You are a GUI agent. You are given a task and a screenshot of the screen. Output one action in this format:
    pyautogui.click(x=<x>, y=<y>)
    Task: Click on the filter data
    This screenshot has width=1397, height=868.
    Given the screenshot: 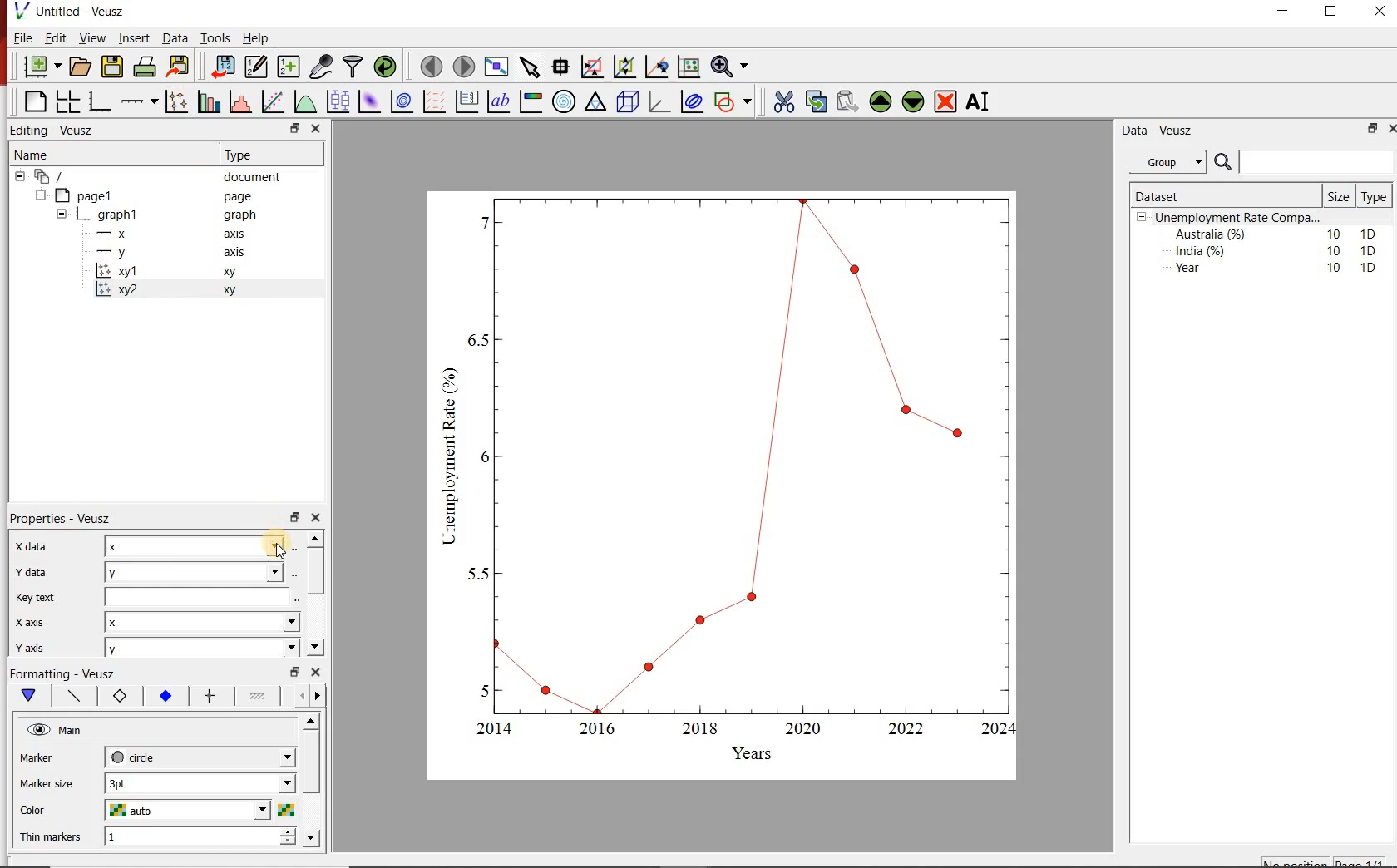 What is the action you would take?
    pyautogui.click(x=352, y=67)
    